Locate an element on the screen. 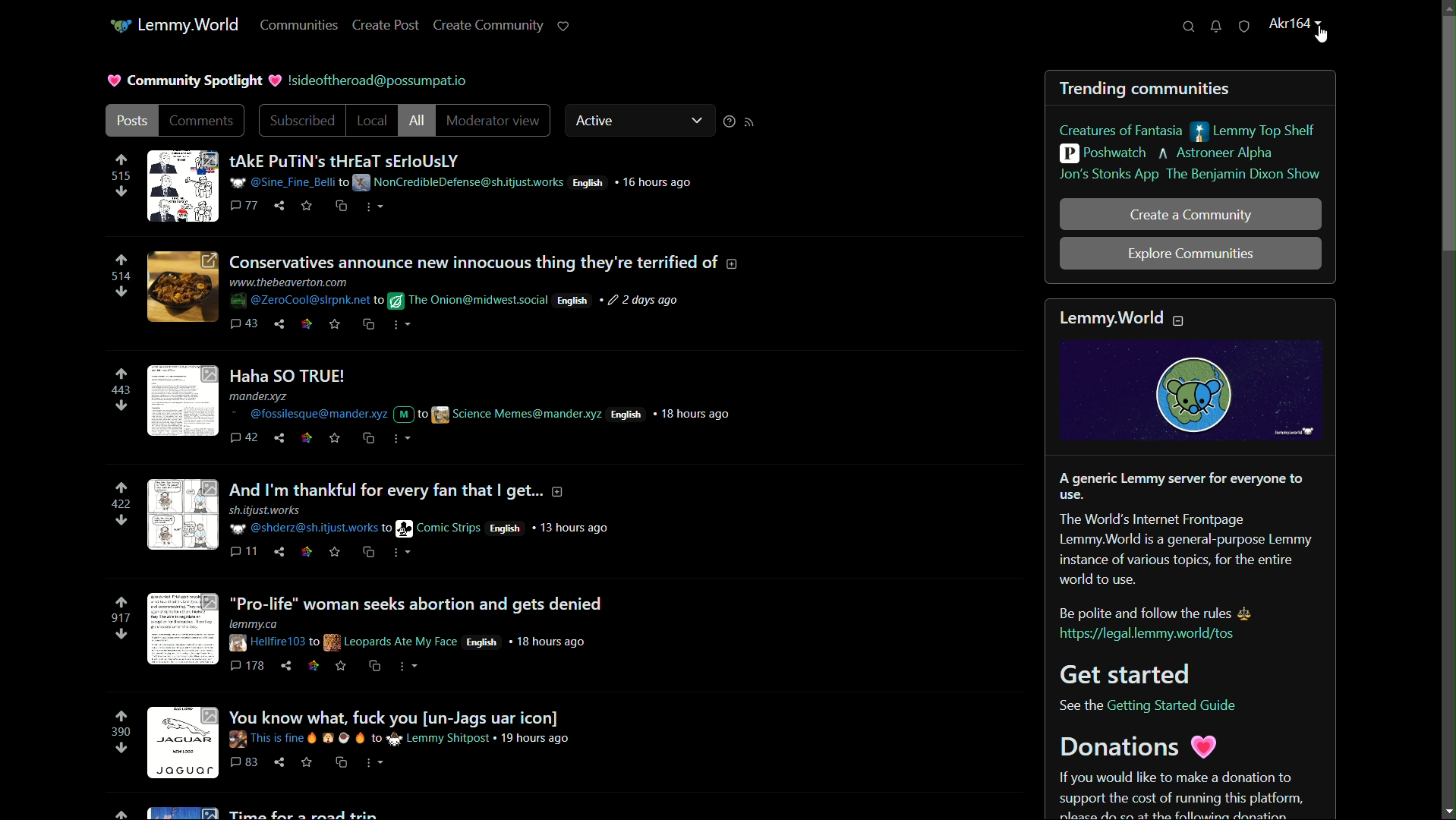 The width and height of the screenshot is (1456, 820). number of votes is located at coordinates (121, 732).